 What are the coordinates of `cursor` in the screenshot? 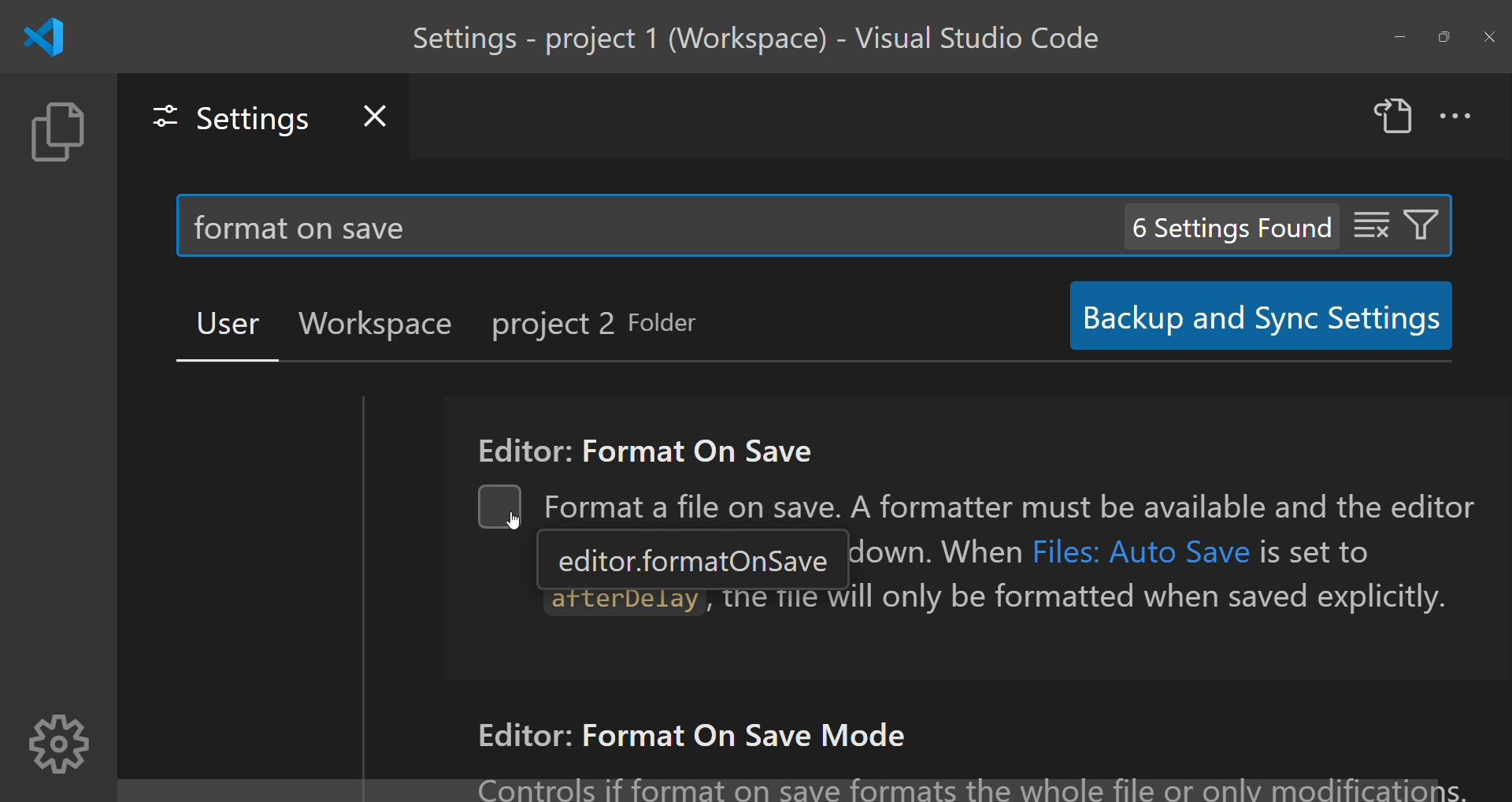 It's located at (501, 527).